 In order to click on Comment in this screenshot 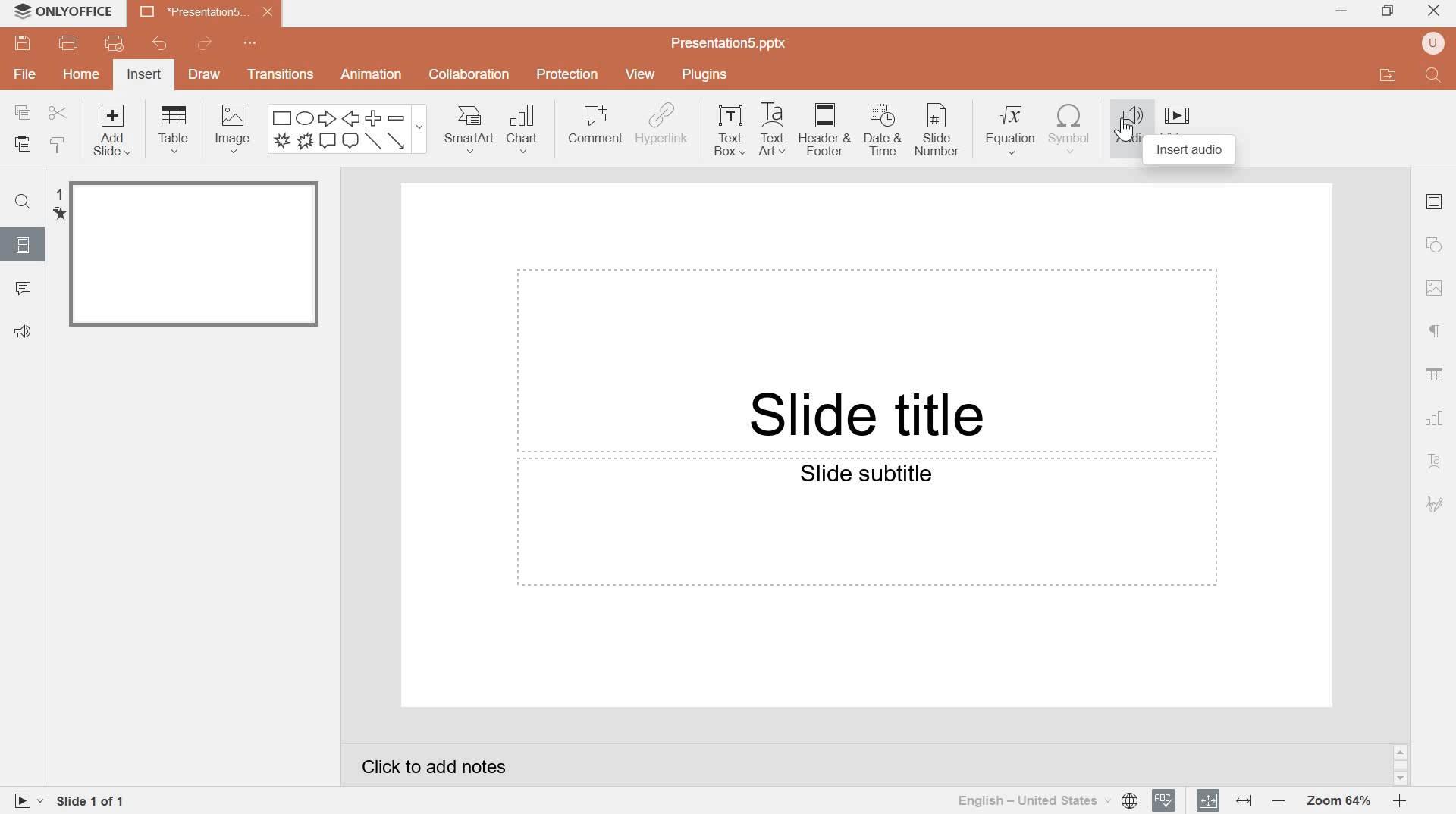, I will do `click(595, 125)`.